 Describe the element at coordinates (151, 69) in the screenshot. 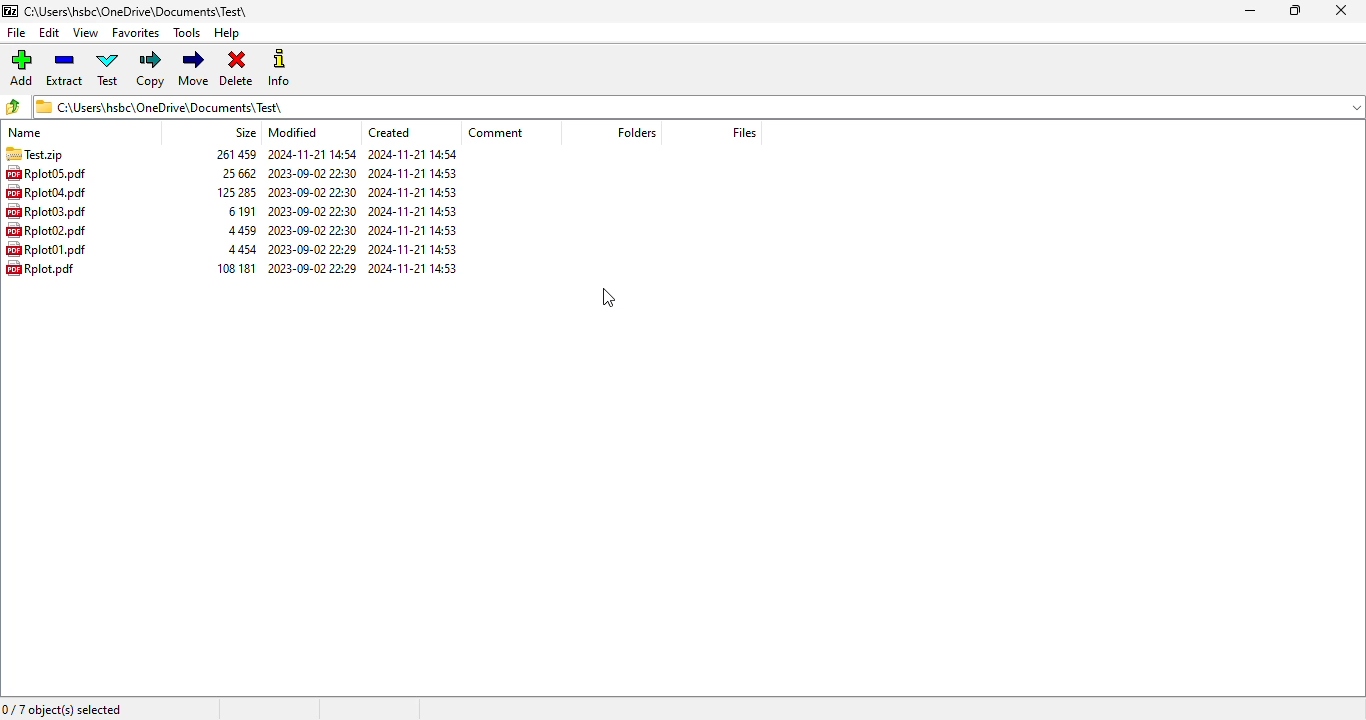

I see `copy` at that location.